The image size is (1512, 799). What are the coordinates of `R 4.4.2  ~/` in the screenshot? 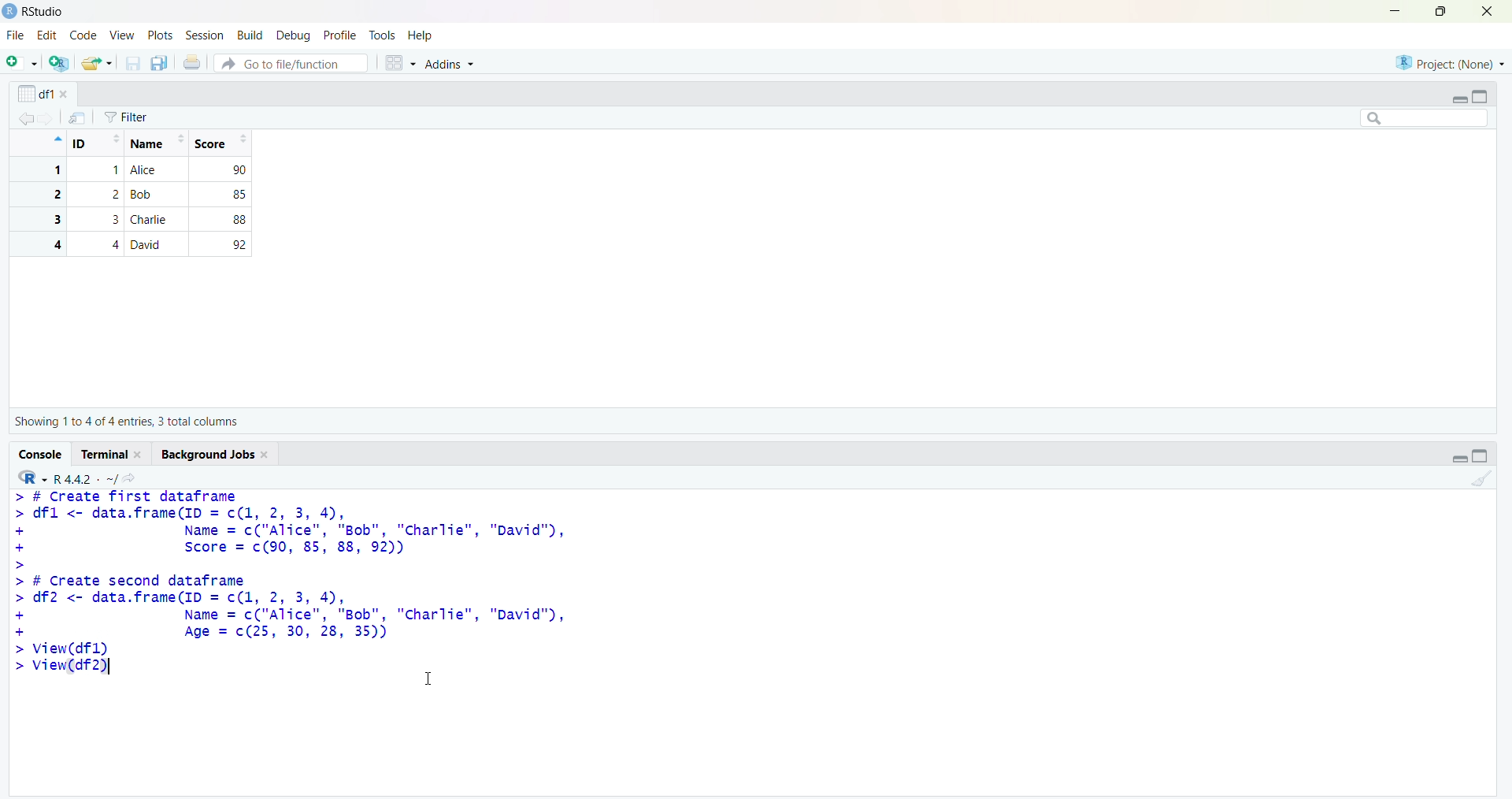 It's located at (85, 479).